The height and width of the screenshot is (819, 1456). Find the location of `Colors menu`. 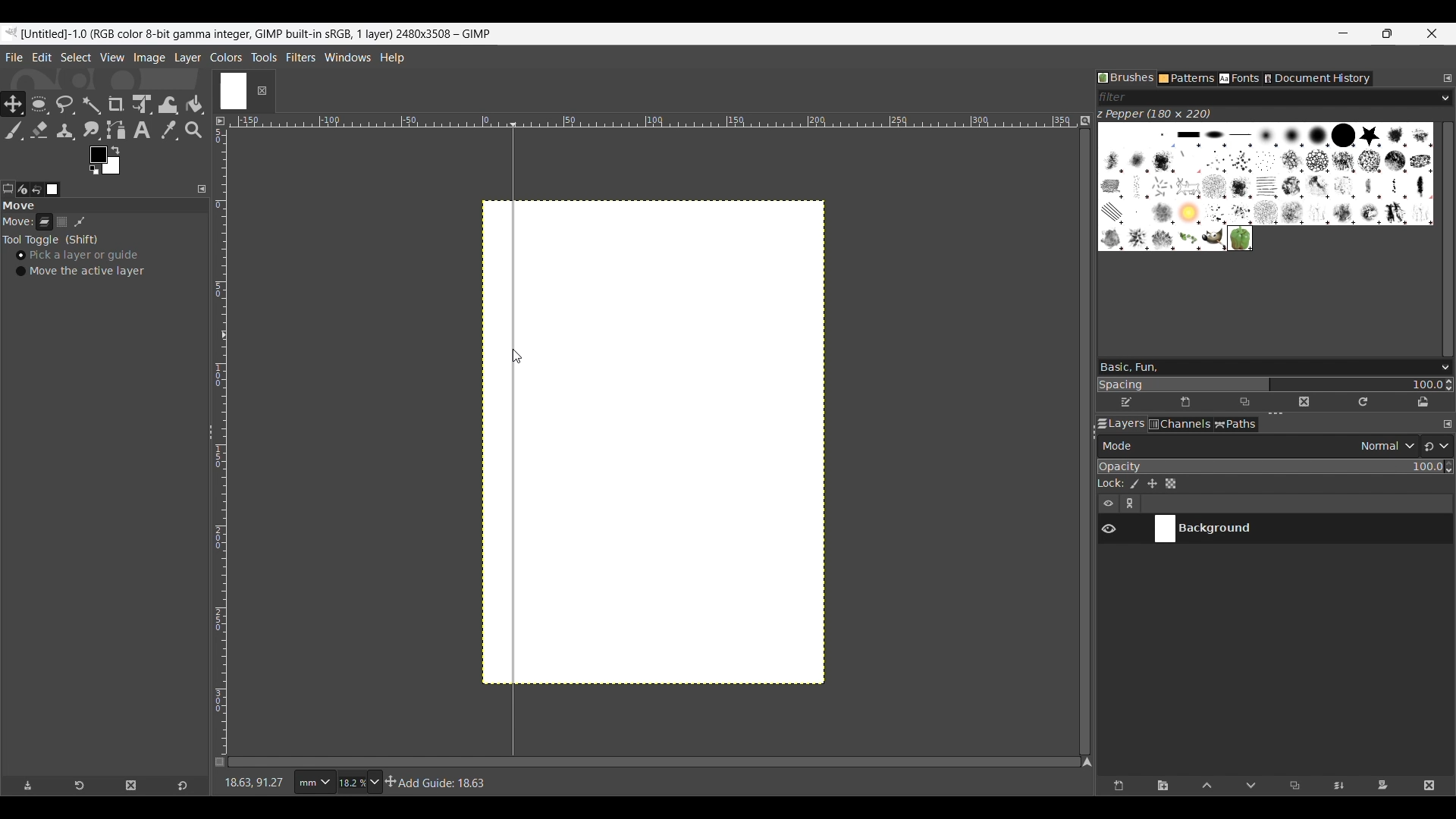

Colors menu is located at coordinates (226, 57).